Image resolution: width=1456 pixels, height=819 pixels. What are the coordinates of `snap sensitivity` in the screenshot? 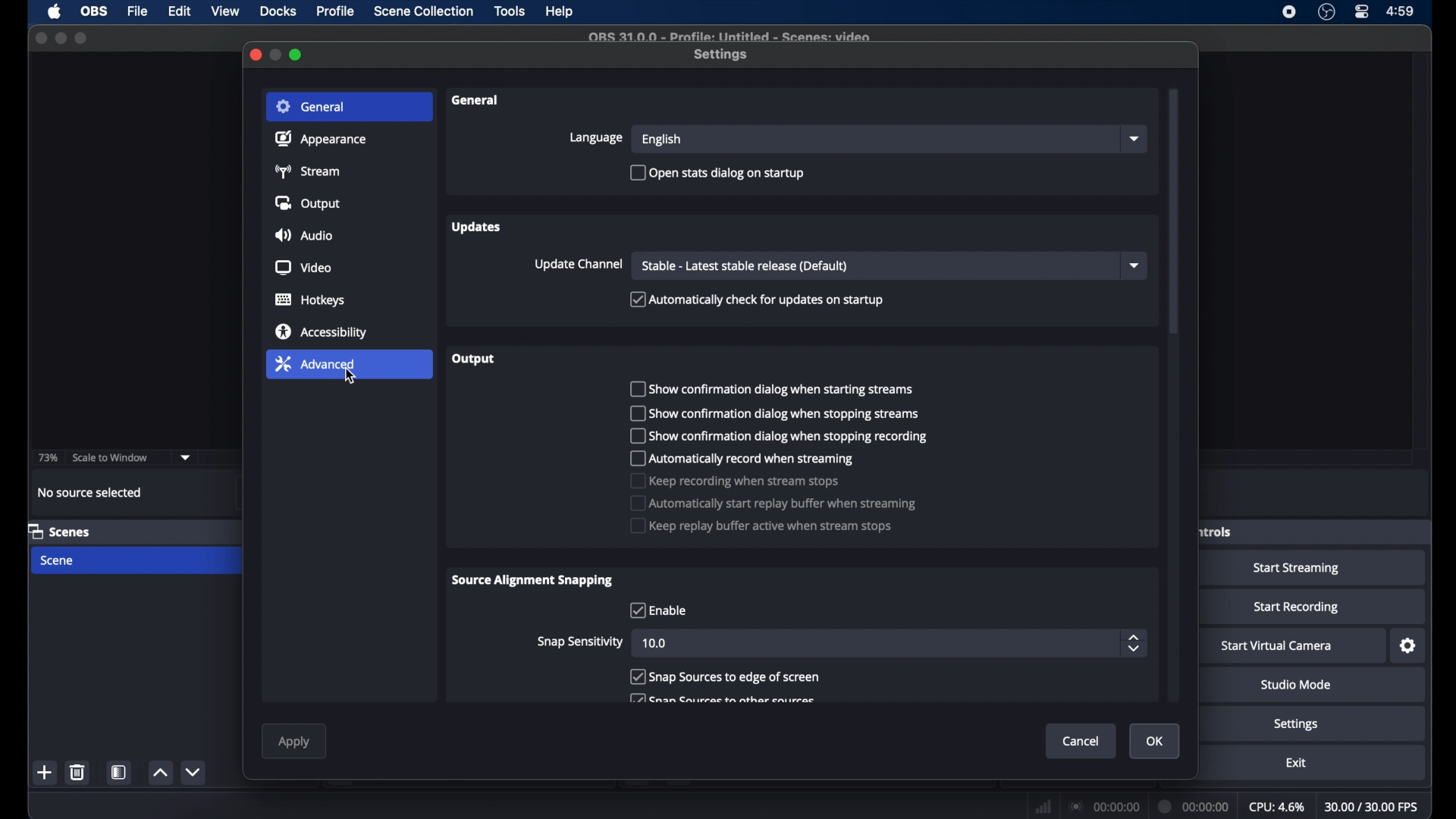 It's located at (579, 642).